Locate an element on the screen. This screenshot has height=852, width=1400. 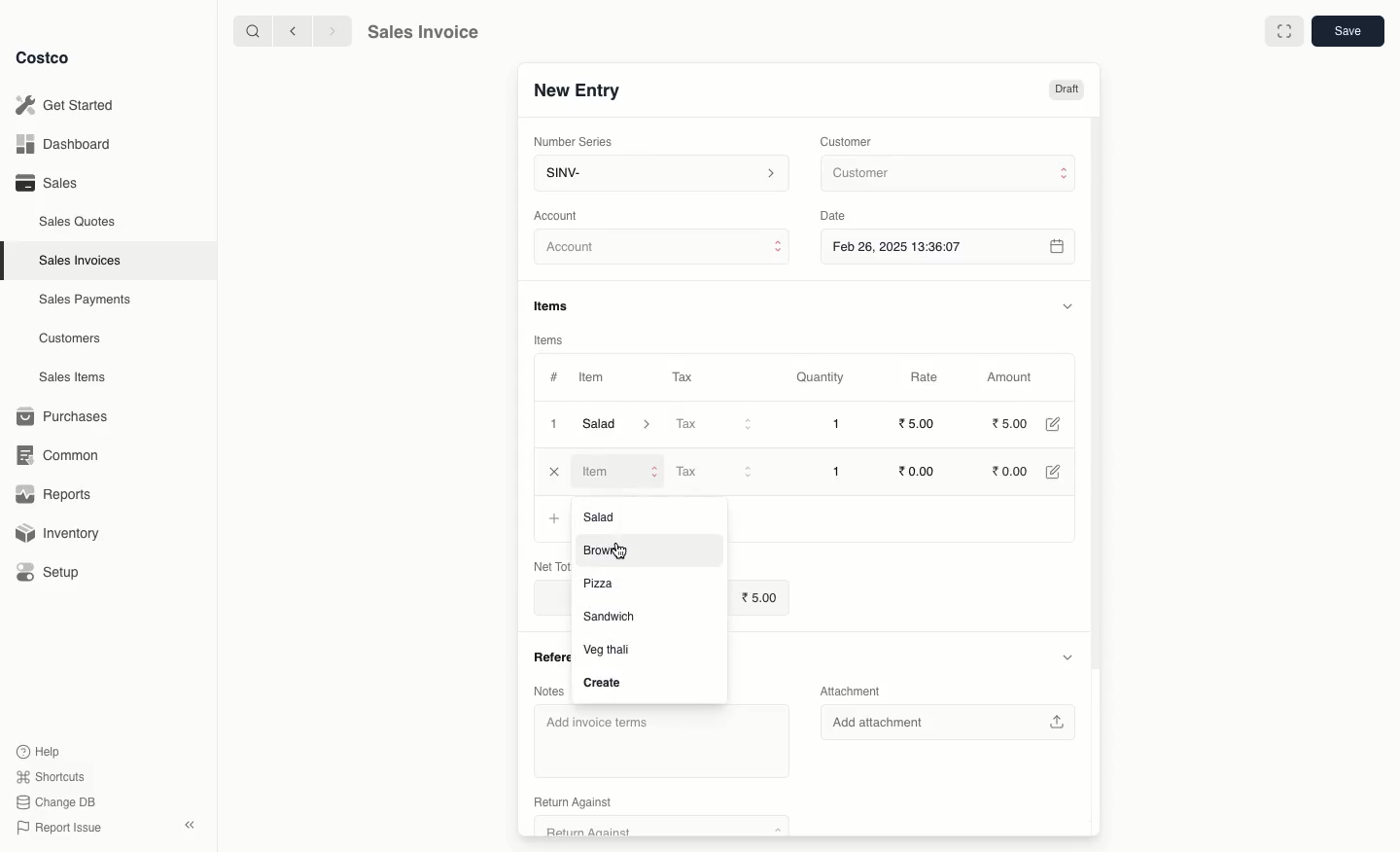
New Entry is located at coordinates (576, 89).